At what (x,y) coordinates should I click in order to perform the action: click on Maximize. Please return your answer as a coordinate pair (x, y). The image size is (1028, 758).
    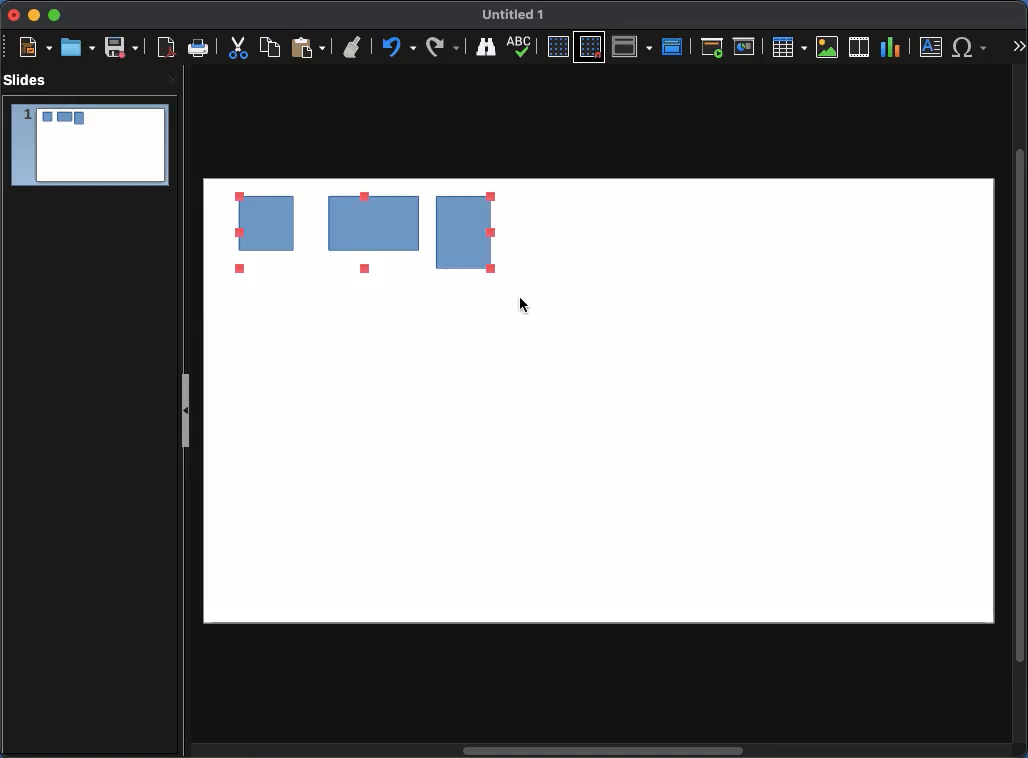
    Looking at the image, I should click on (56, 15).